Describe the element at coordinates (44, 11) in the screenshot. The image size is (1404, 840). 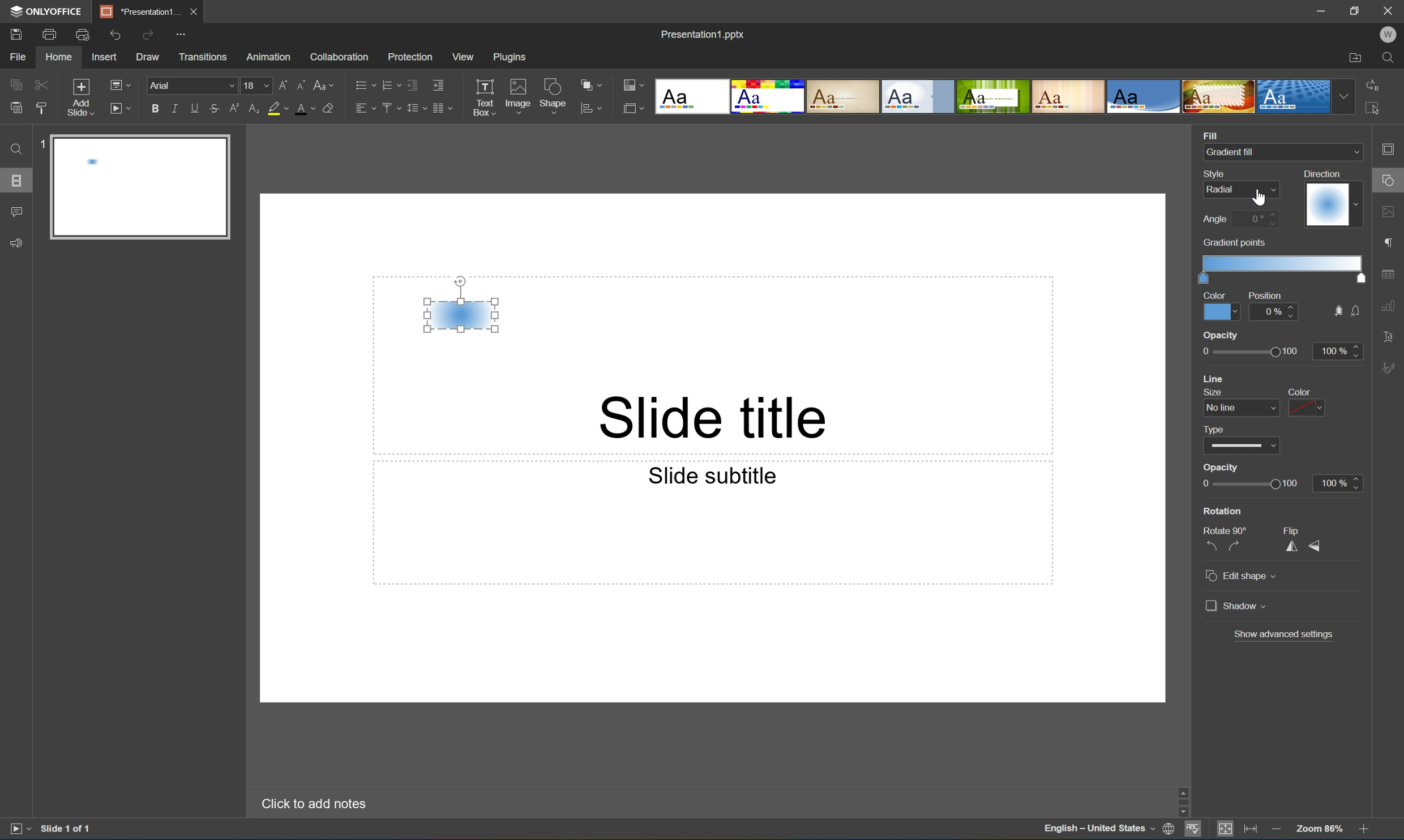
I see `ONYOFFICE` at that location.